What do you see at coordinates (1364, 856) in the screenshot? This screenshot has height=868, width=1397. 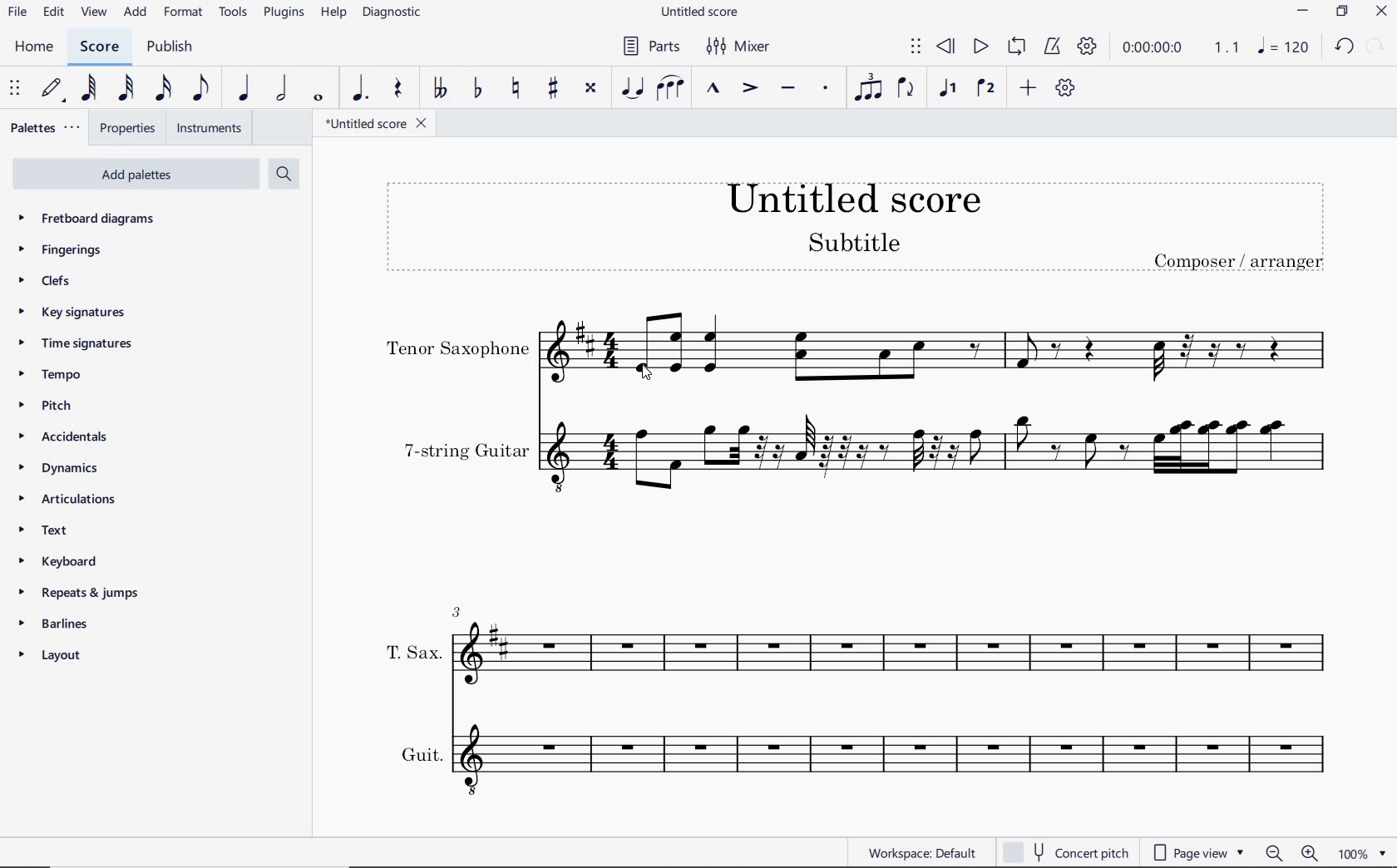 I see `ZOOM FACTOR` at bounding box center [1364, 856].